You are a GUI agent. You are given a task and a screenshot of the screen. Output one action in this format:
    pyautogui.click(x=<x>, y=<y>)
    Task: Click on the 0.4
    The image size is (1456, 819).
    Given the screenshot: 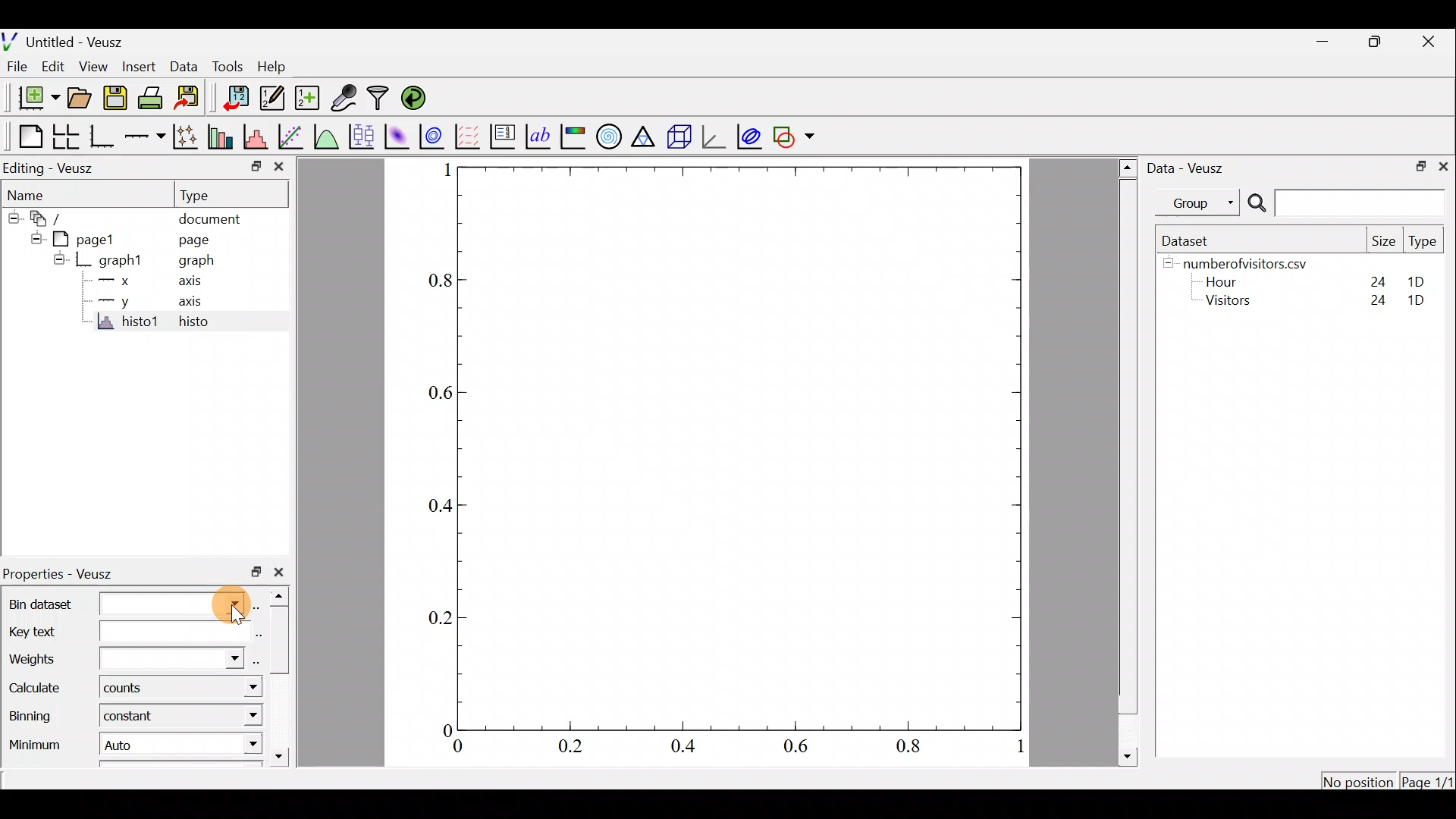 What is the action you would take?
    pyautogui.click(x=689, y=747)
    